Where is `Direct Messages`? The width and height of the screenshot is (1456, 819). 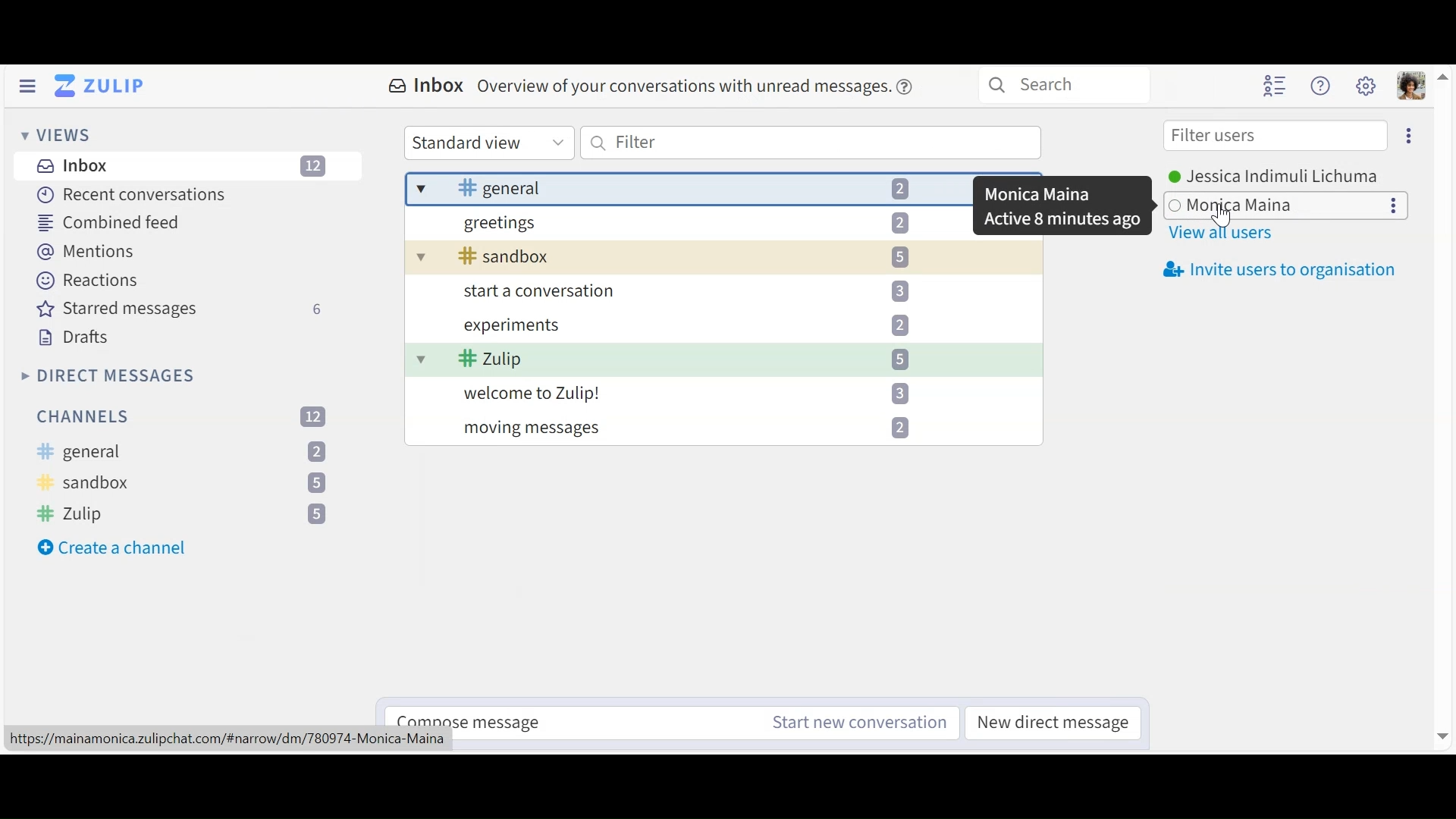 Direct Messages is located at coordinates (110, 375).